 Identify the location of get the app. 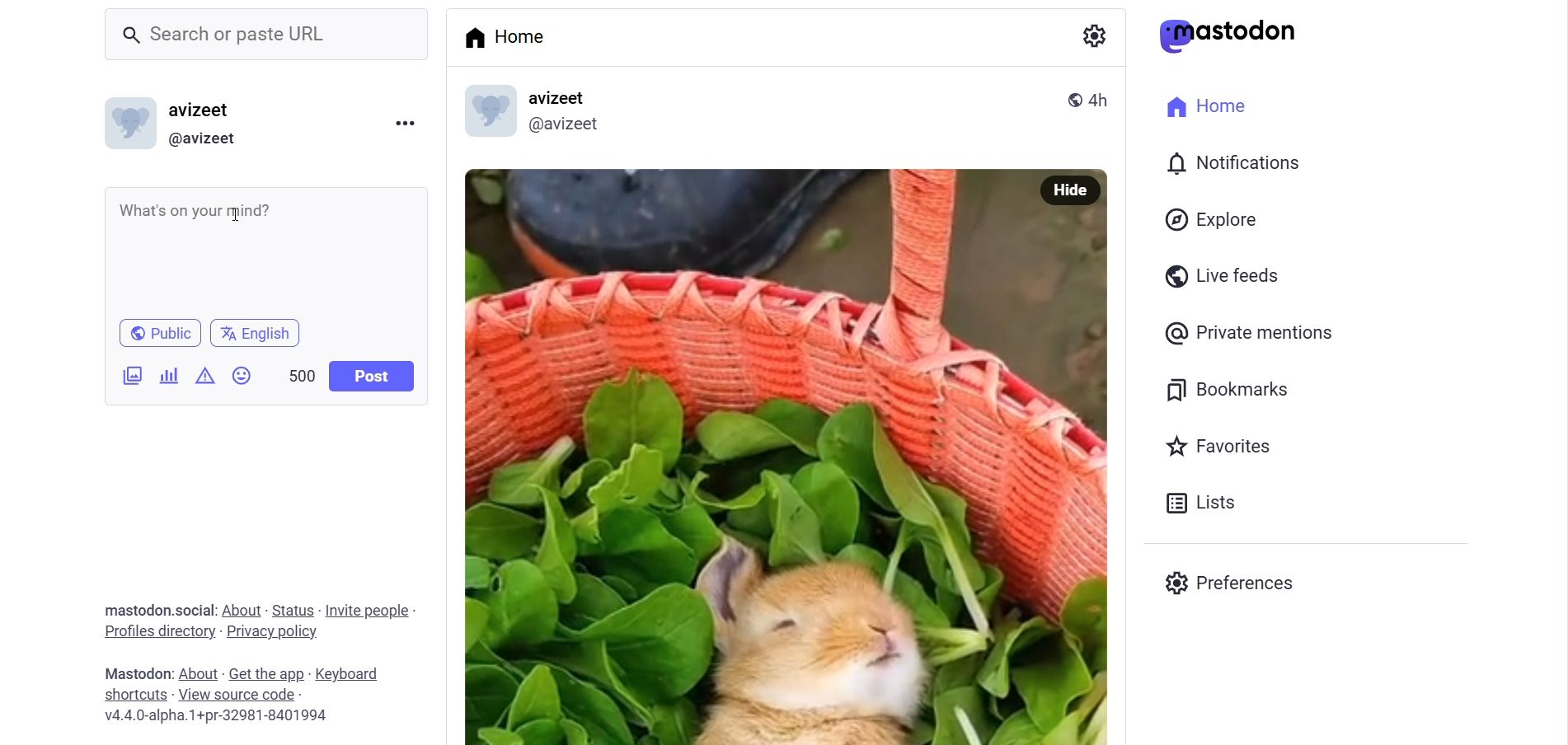
(268, 672).